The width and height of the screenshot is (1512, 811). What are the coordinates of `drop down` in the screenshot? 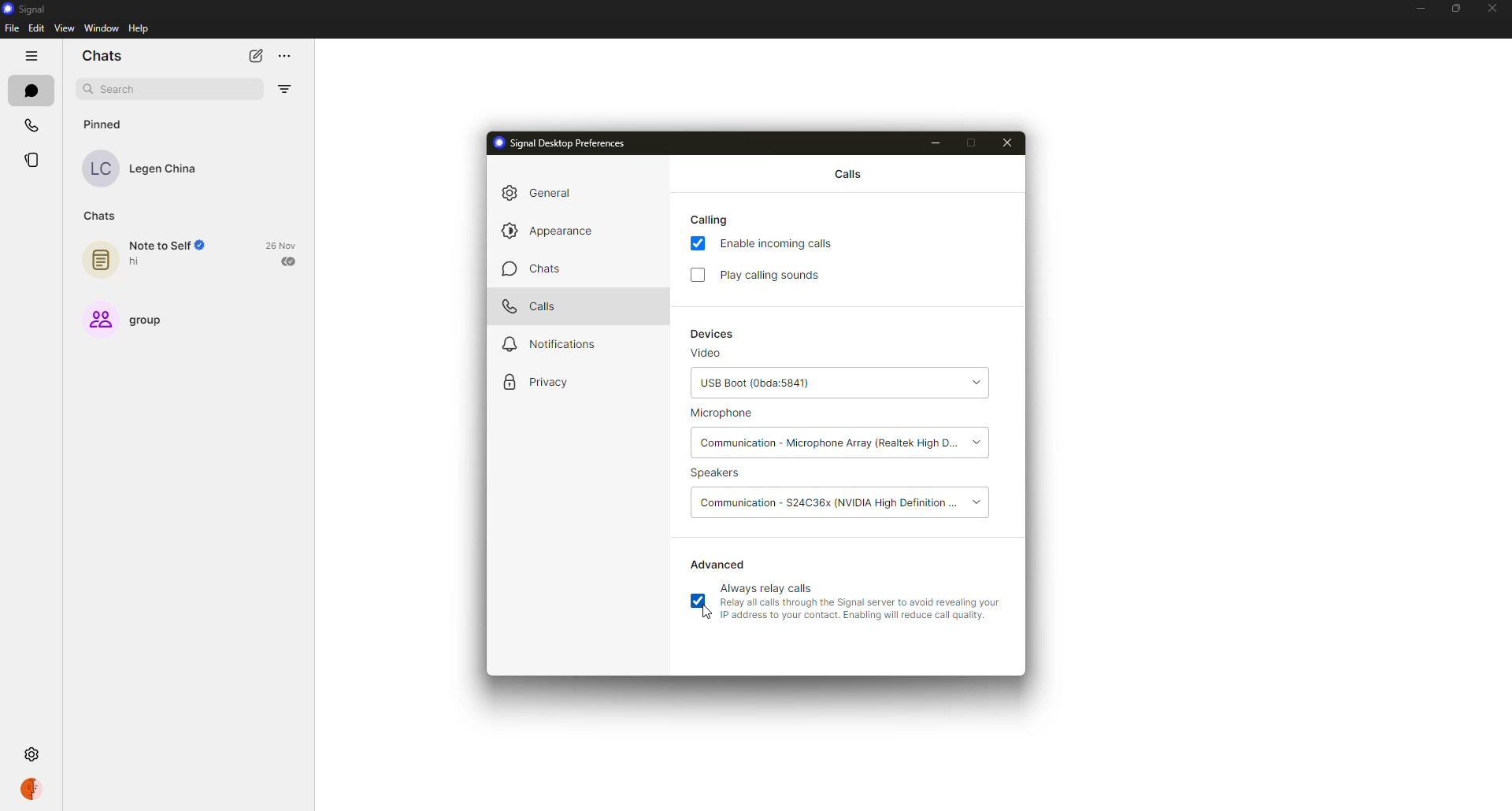 It's located at (975, 383).